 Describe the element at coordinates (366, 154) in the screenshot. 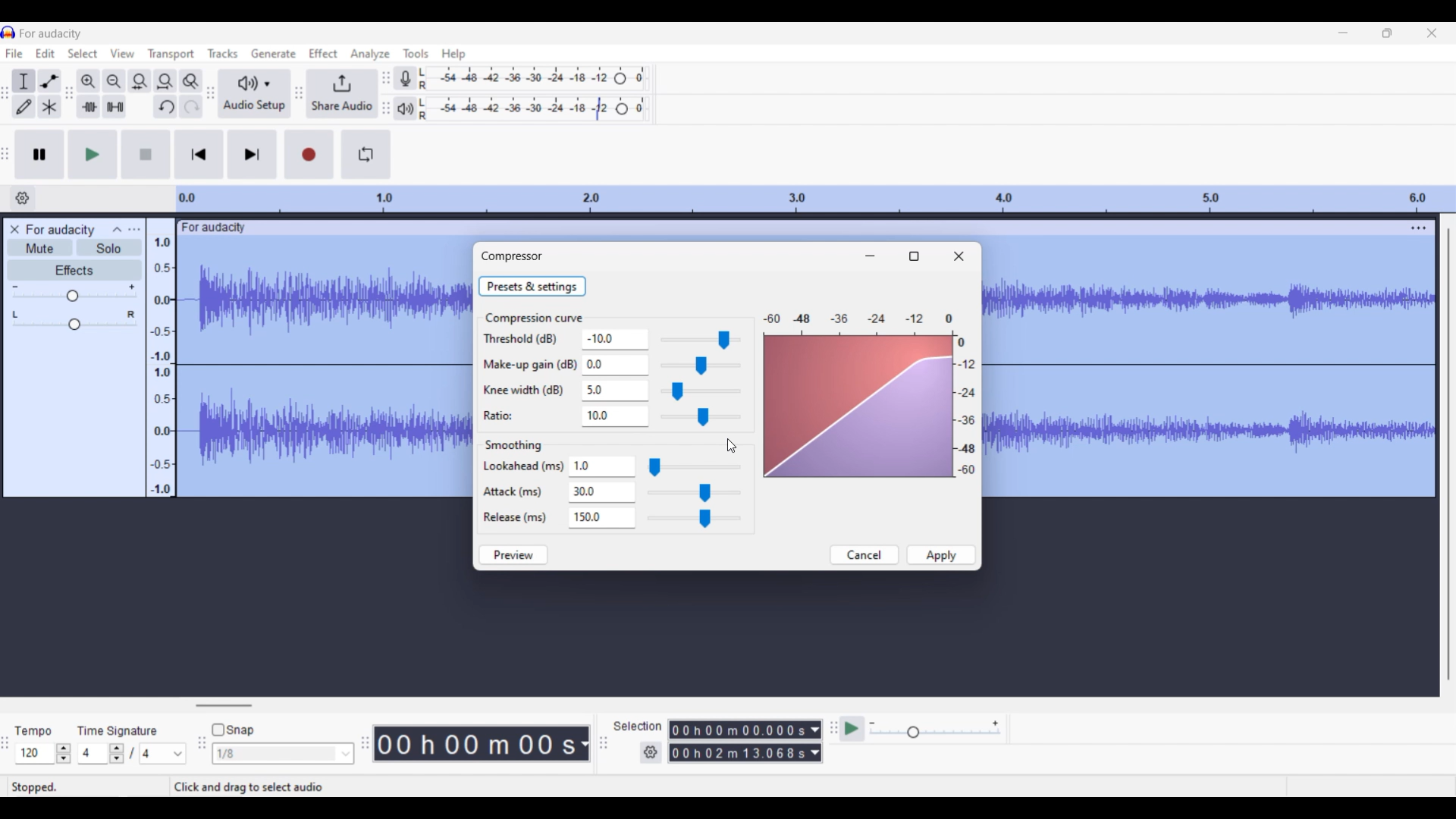

I see `Enable looping` at that location.